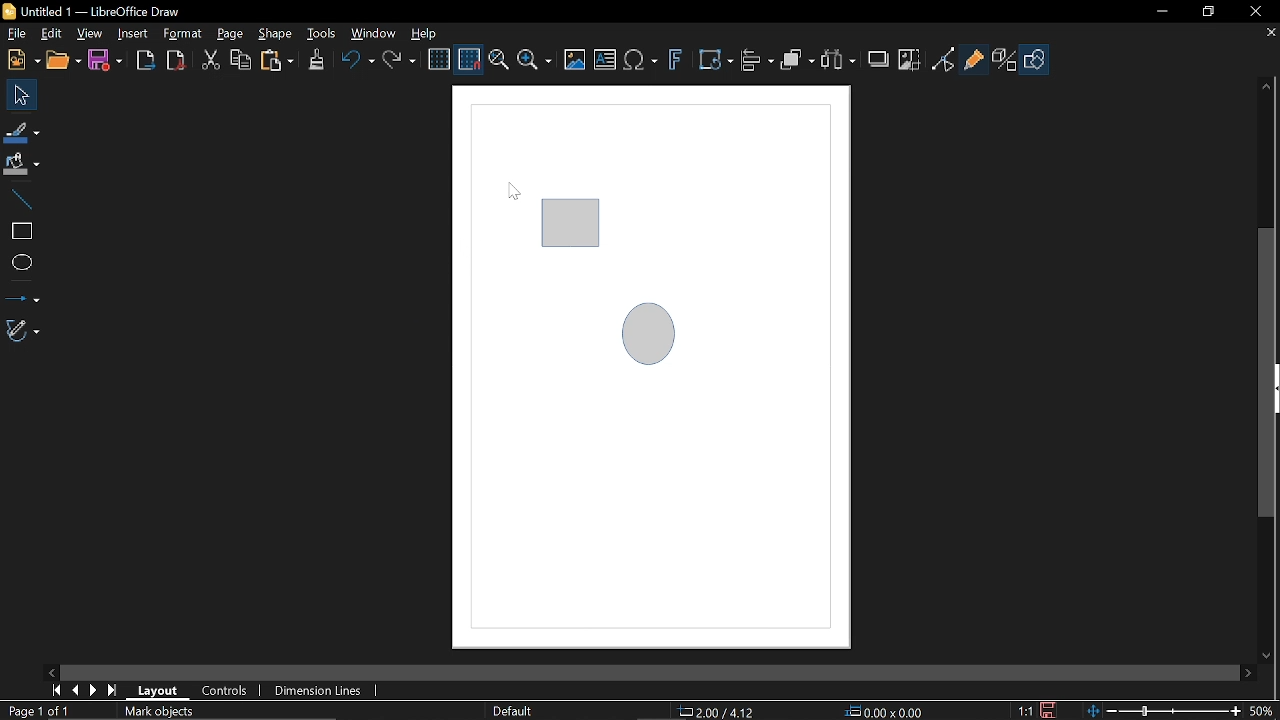 This screenshot has height=720, width=1280. What do you see at coordinates (1023, 711) in the screenshot?
I see `Scaling factor` at bounding box center [1023, 711].